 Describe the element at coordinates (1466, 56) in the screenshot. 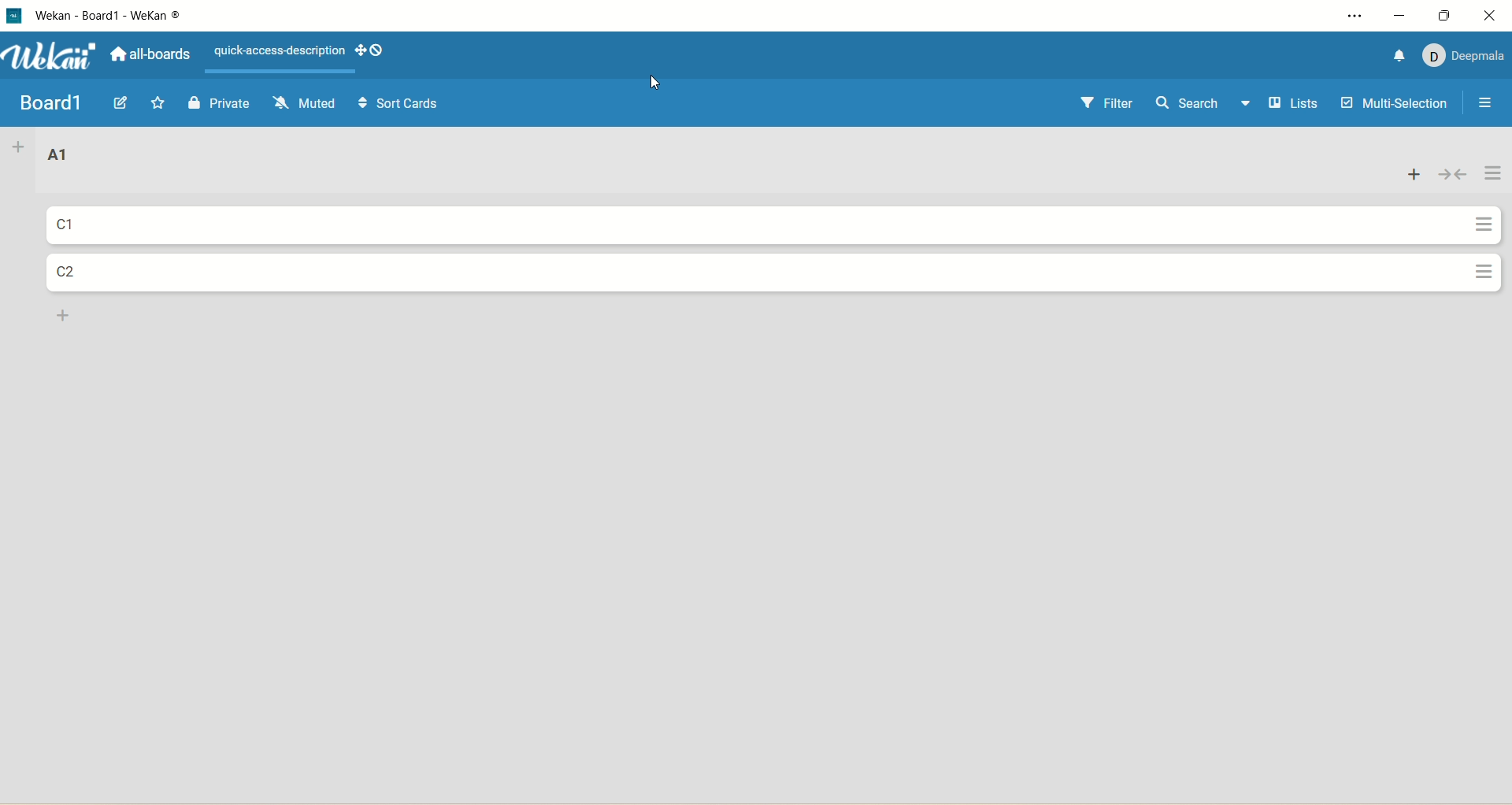

I see `account` at that location.